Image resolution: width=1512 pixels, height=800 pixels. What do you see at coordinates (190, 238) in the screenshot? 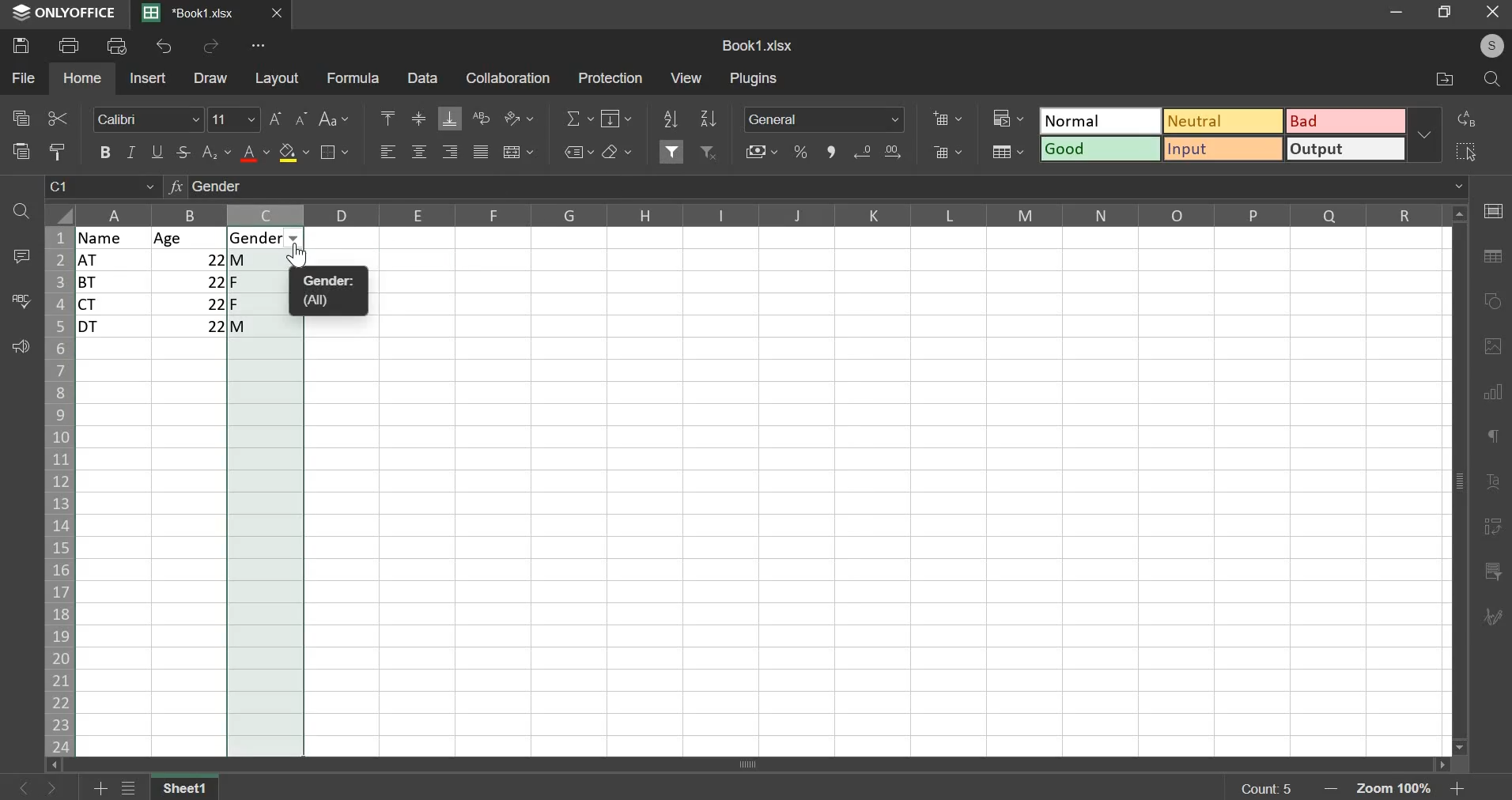
I see `age` at bounding box center [190, 238].